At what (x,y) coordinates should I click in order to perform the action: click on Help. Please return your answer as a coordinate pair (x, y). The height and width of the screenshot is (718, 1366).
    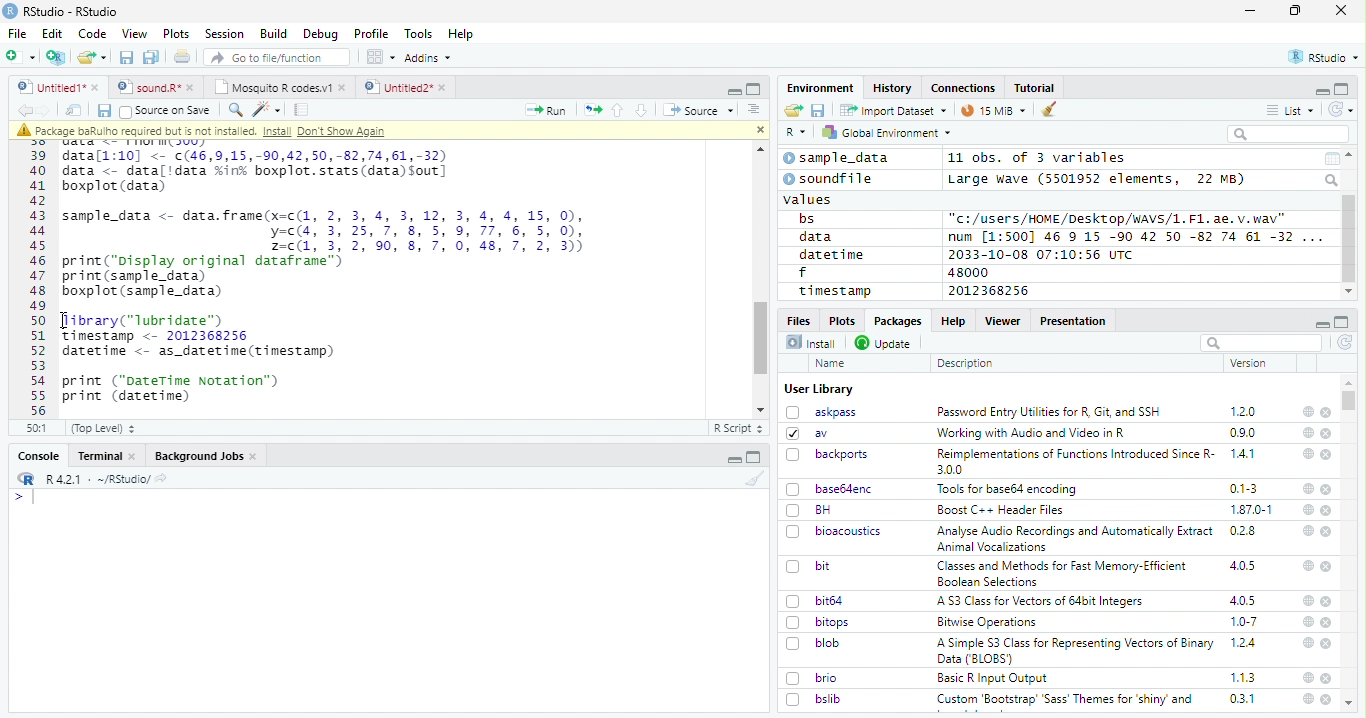
    Looking at the image, I should click on (952, 320).